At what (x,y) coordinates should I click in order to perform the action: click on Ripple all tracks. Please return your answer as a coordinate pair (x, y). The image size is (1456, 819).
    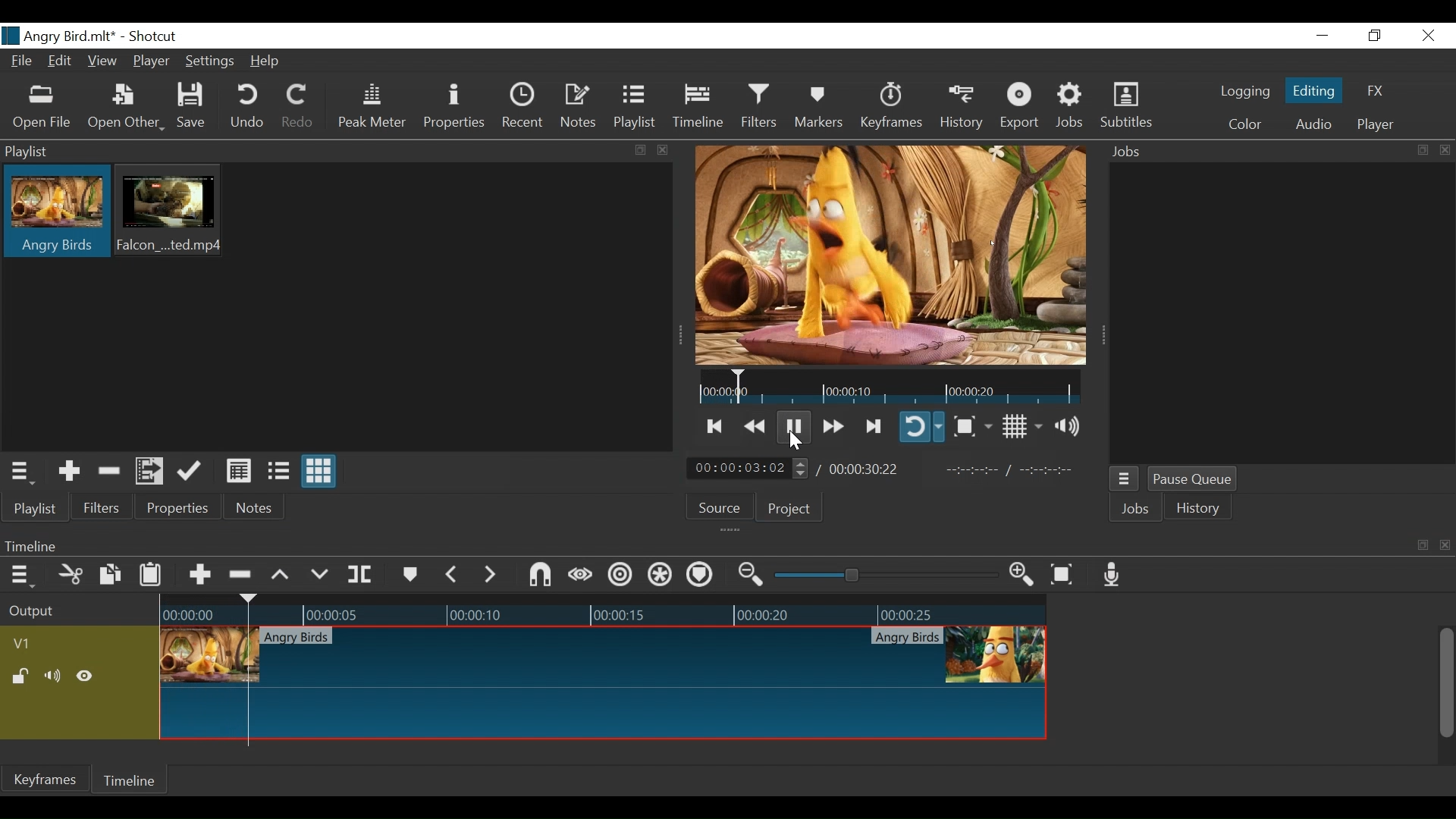
    Looking at the image, I should click on (659, 576).